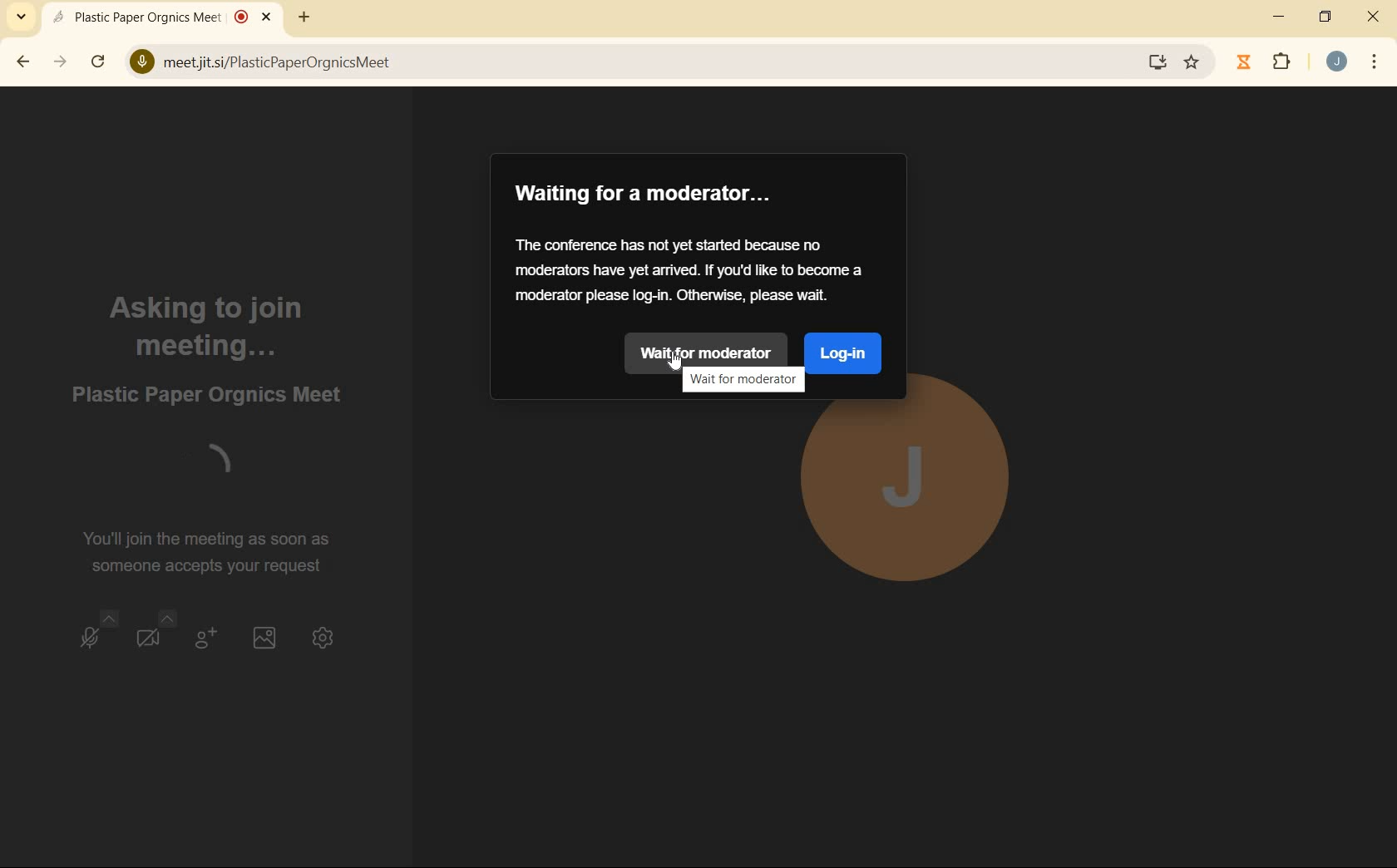 The image size is (1397, 868). Describe the element at coordinates (1193, 62) in the screenshot. I see `bookmark` at that location.